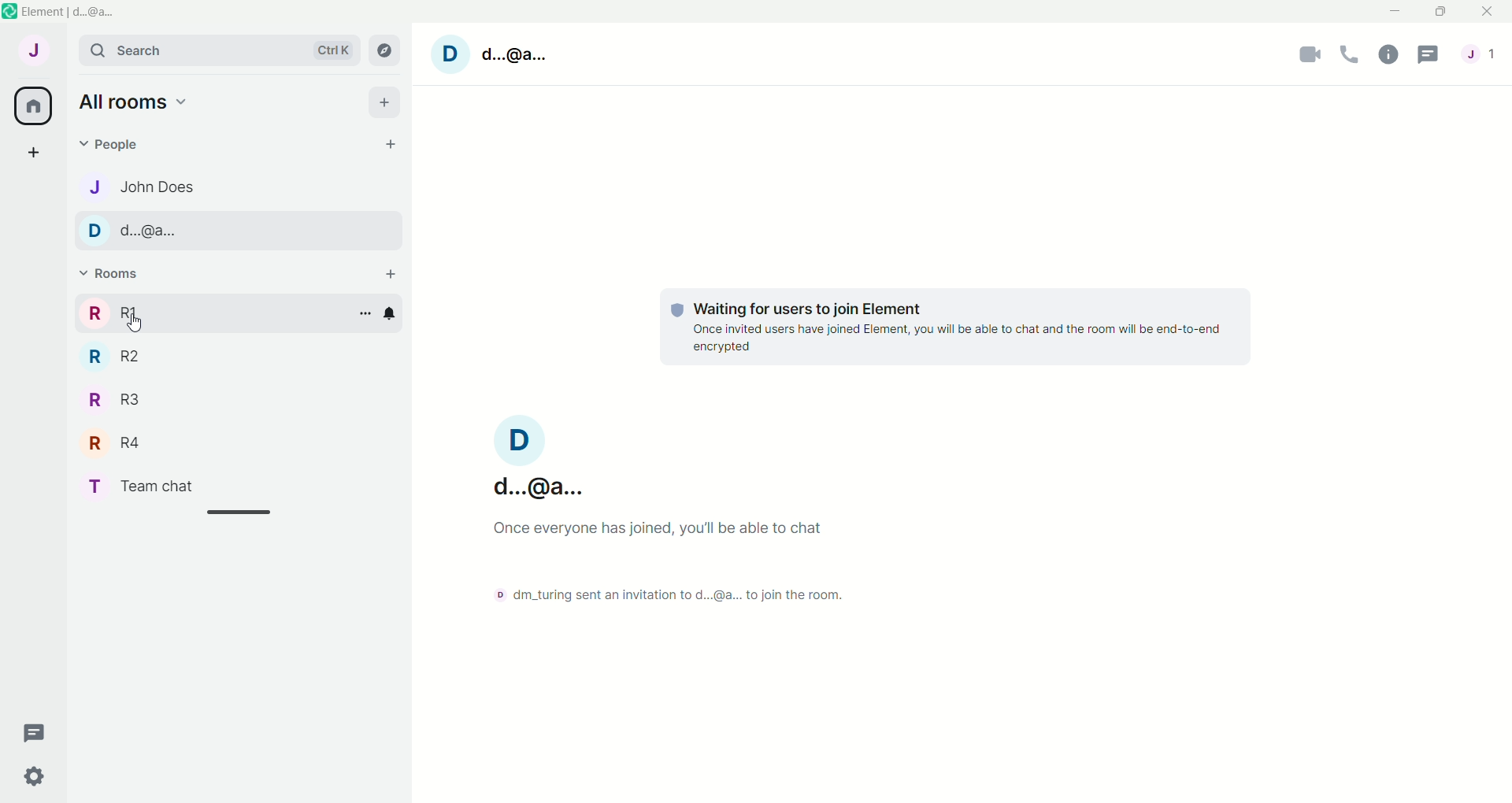  What do you see at coordinates (39, 730) in the screenshot?
I see `threads` at bounding box center [39, 730].